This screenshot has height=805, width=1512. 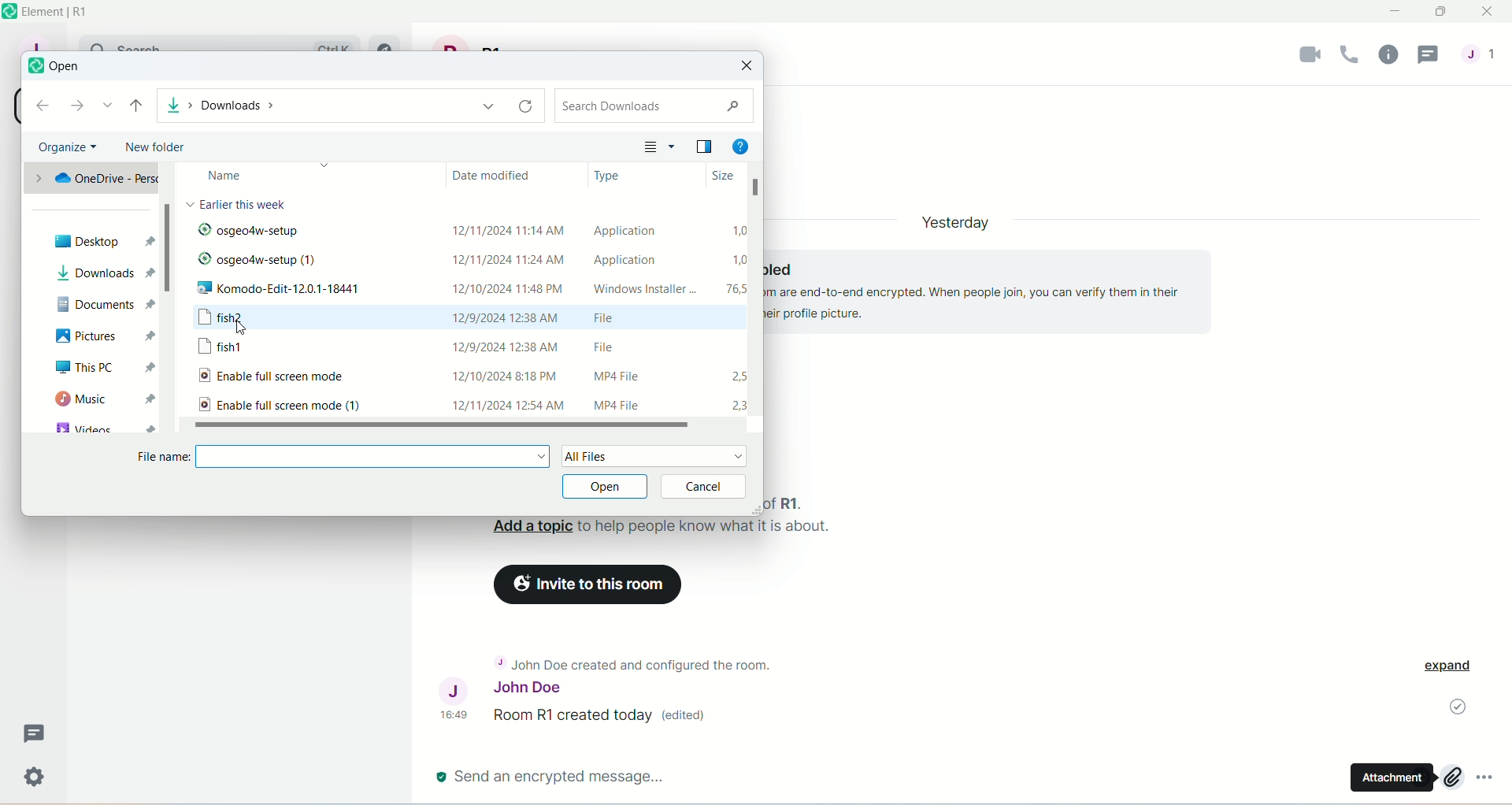 I want to click on date modified, so click(x=499, y=179).